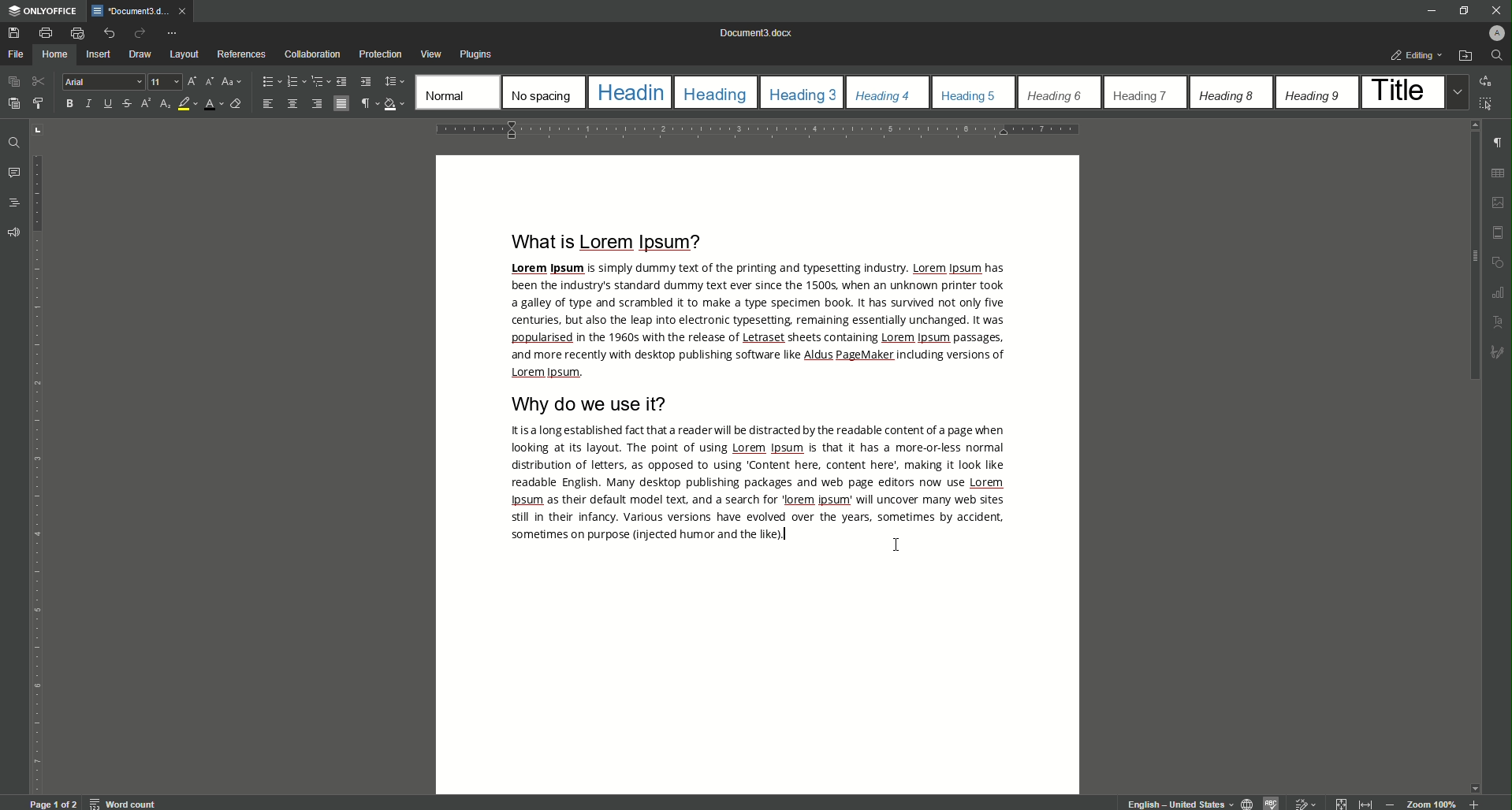 This screenshot has width=1512, height=810. What do you see at coordinates (1491, 104) in the screenshot?
I see `Select` at bounding box center [1491, 104].